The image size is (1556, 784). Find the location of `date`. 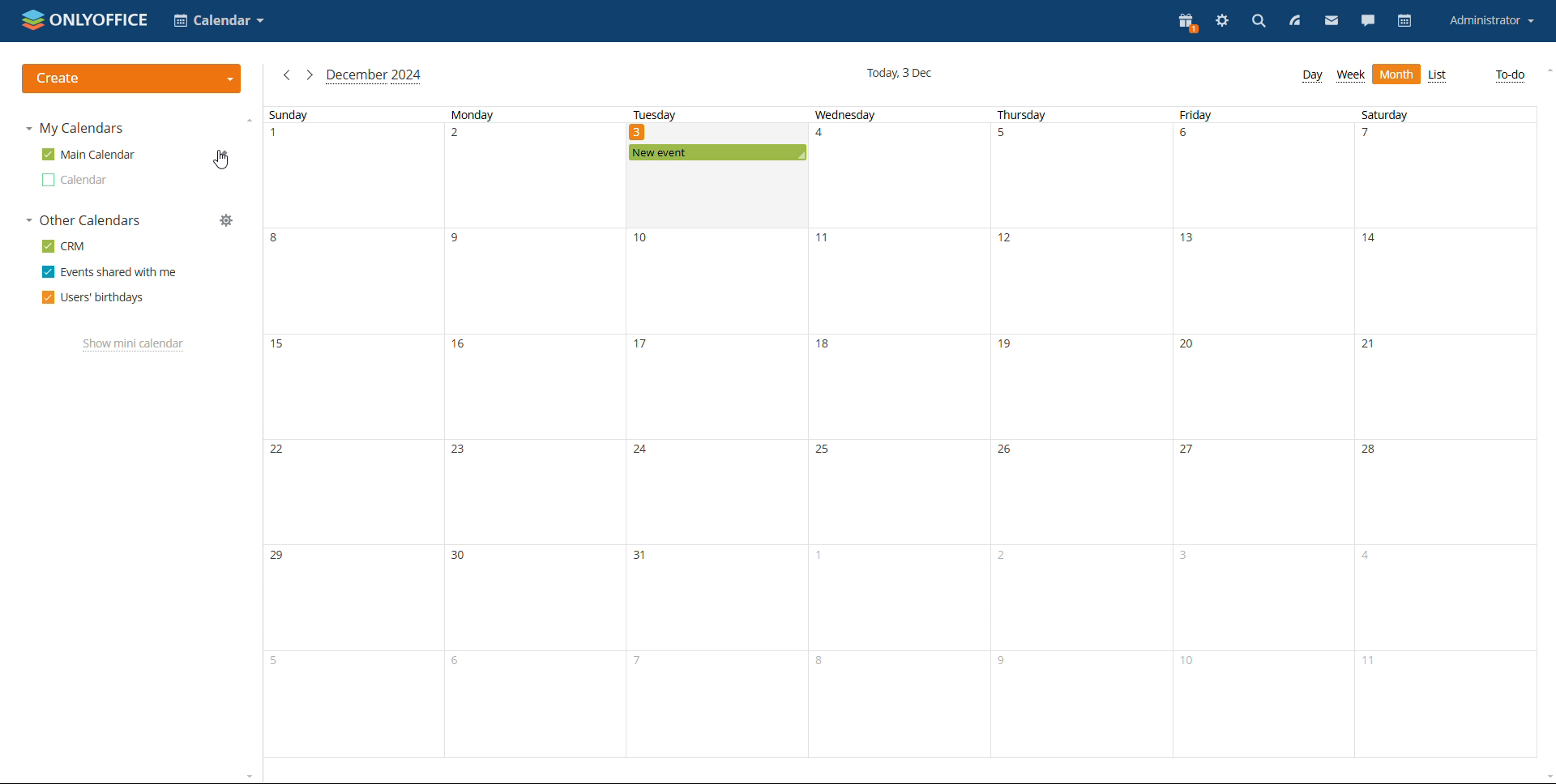

date is located at coordinates (1265, 175).